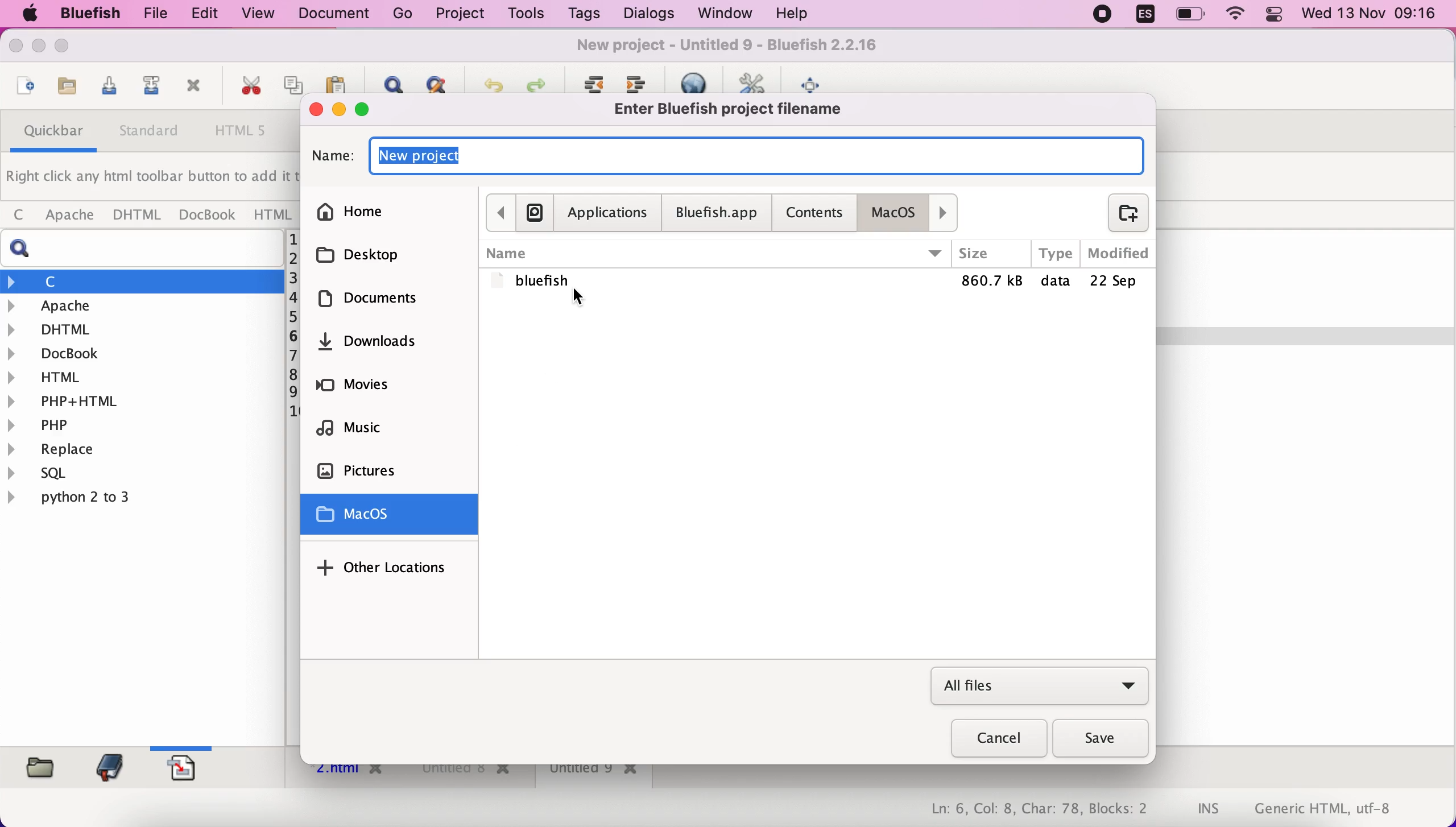 The height and width of the screenshot is (827, 1456). Describe the element at coordinates (398, 347) in the screenshot. I see `downloads` at that location.